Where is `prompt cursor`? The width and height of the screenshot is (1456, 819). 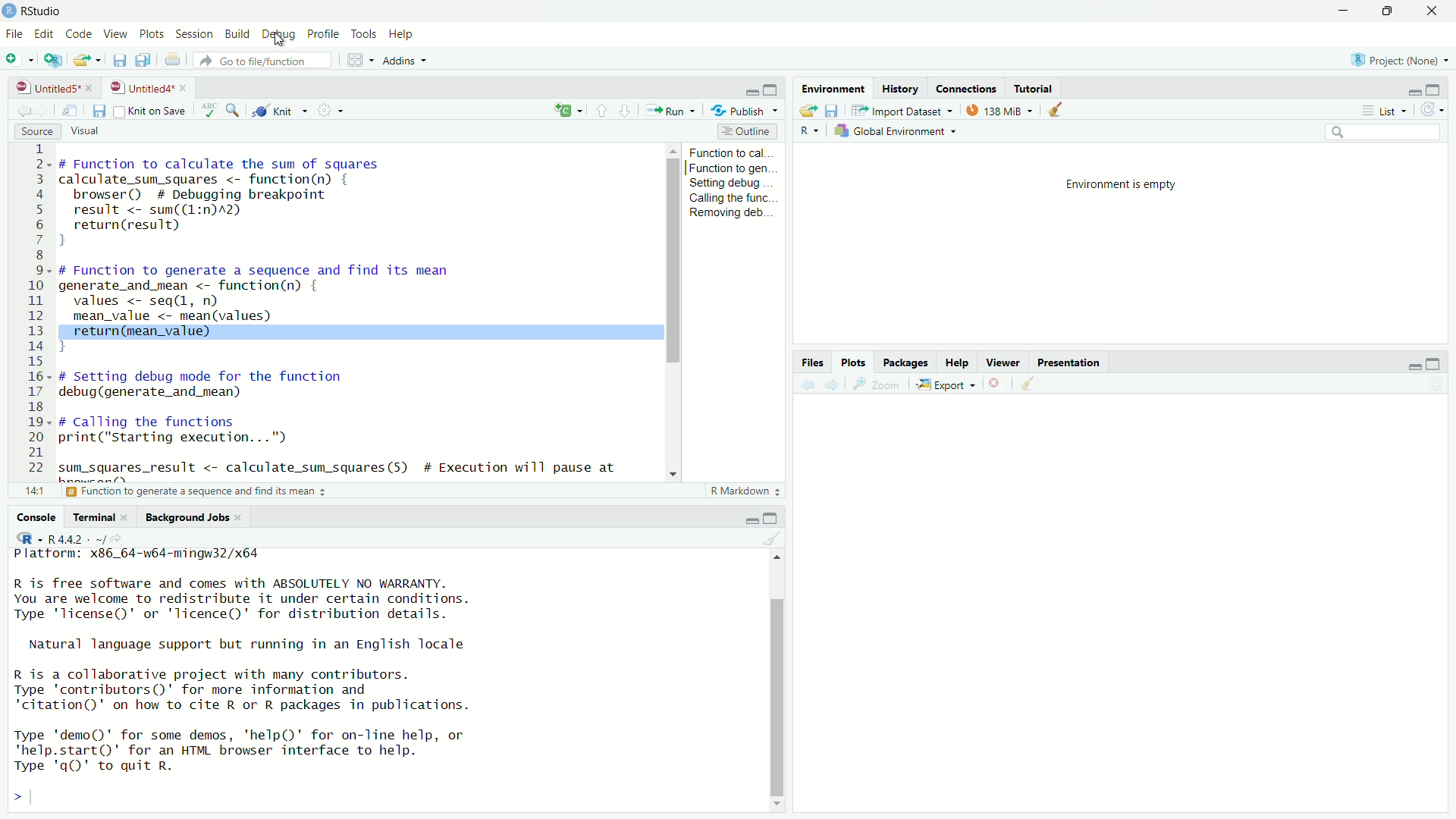 prompt cursor is located at coordinates (12, 799).